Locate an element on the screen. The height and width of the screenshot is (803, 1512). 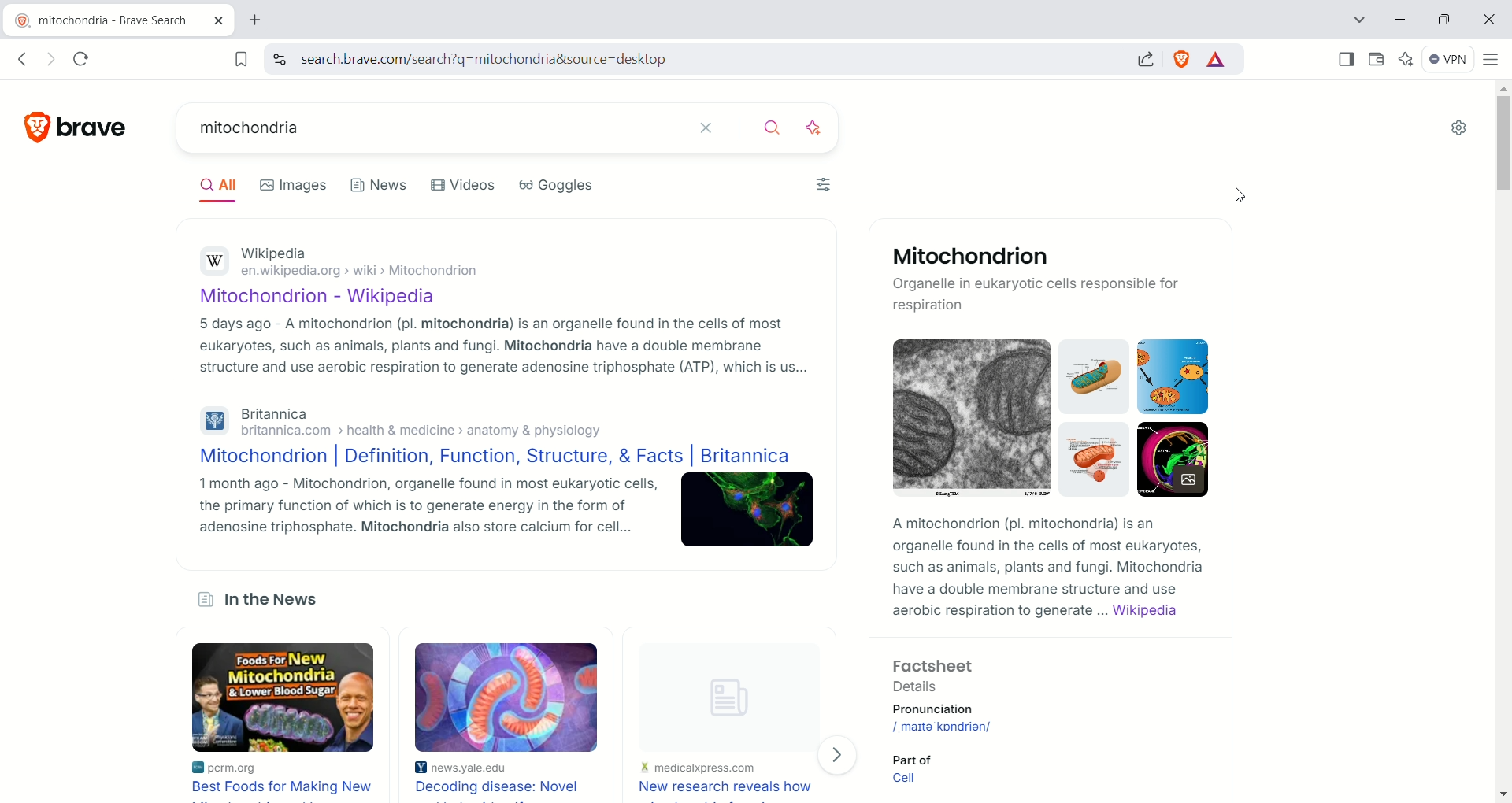
Cell is located at coordinates (930, 779).